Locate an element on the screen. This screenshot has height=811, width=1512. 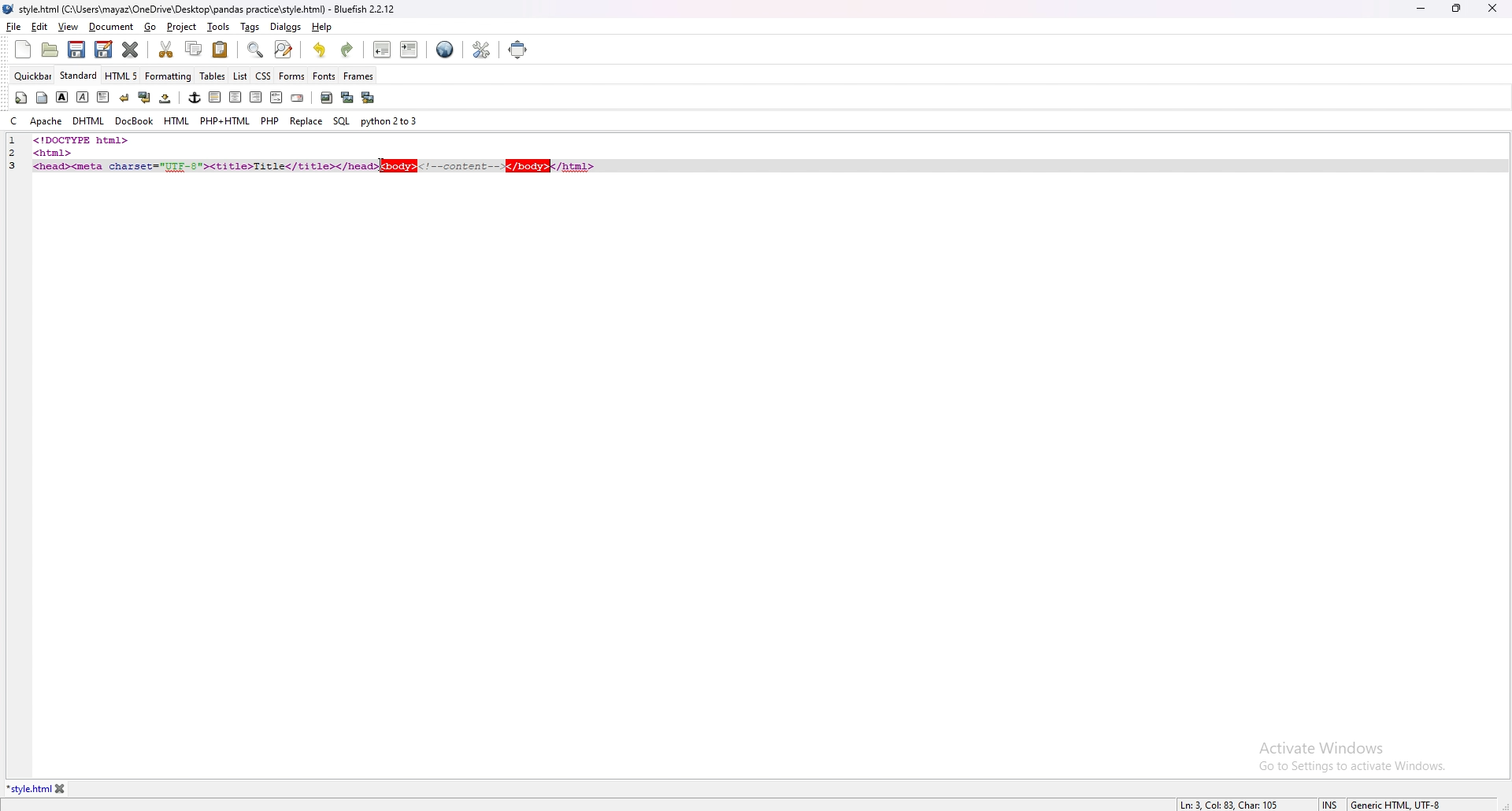
dhtml is located at coordinates (88, 122).